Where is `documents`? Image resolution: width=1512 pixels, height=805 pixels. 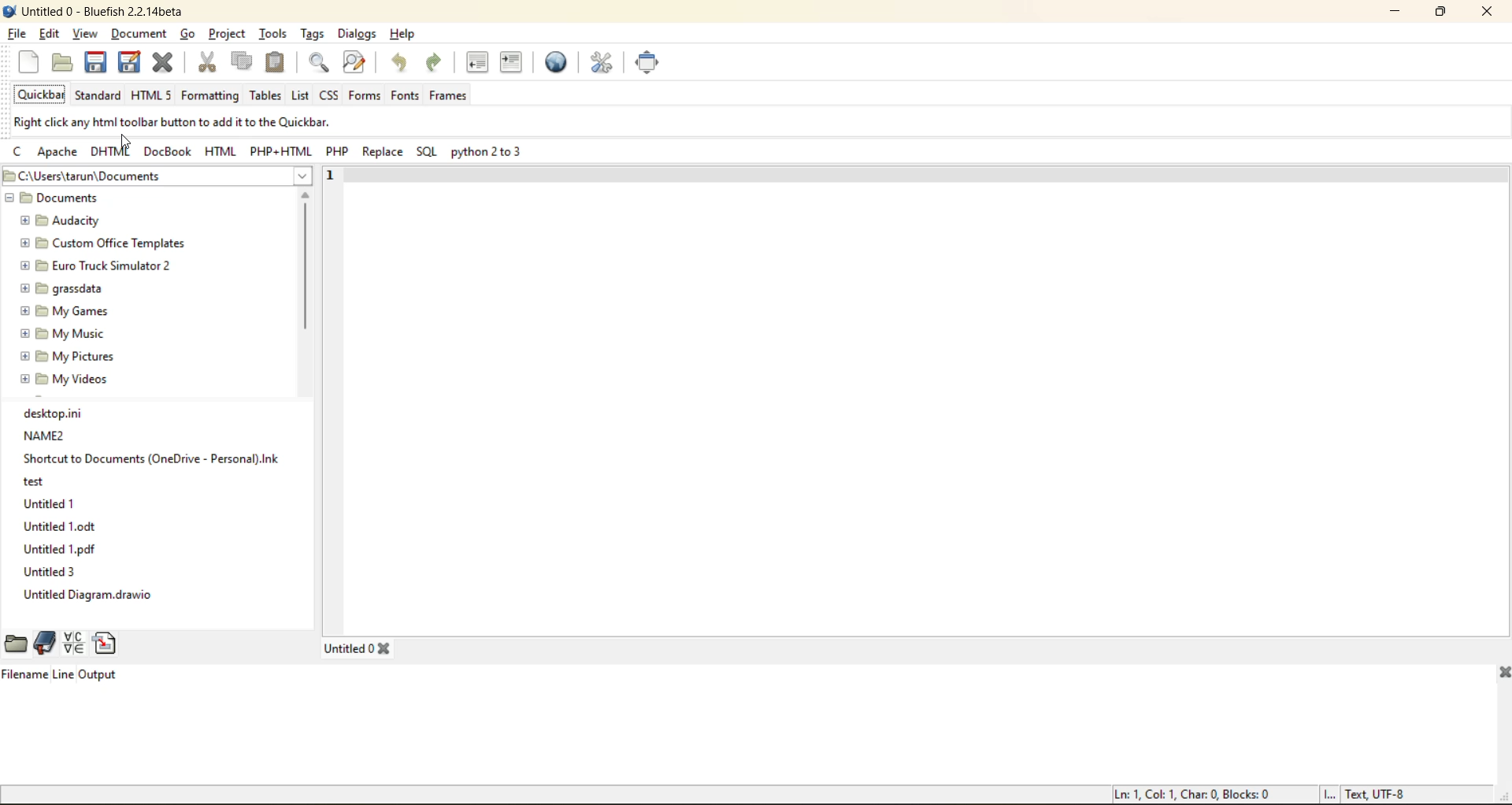
documents is located at coordinates (69, 198).